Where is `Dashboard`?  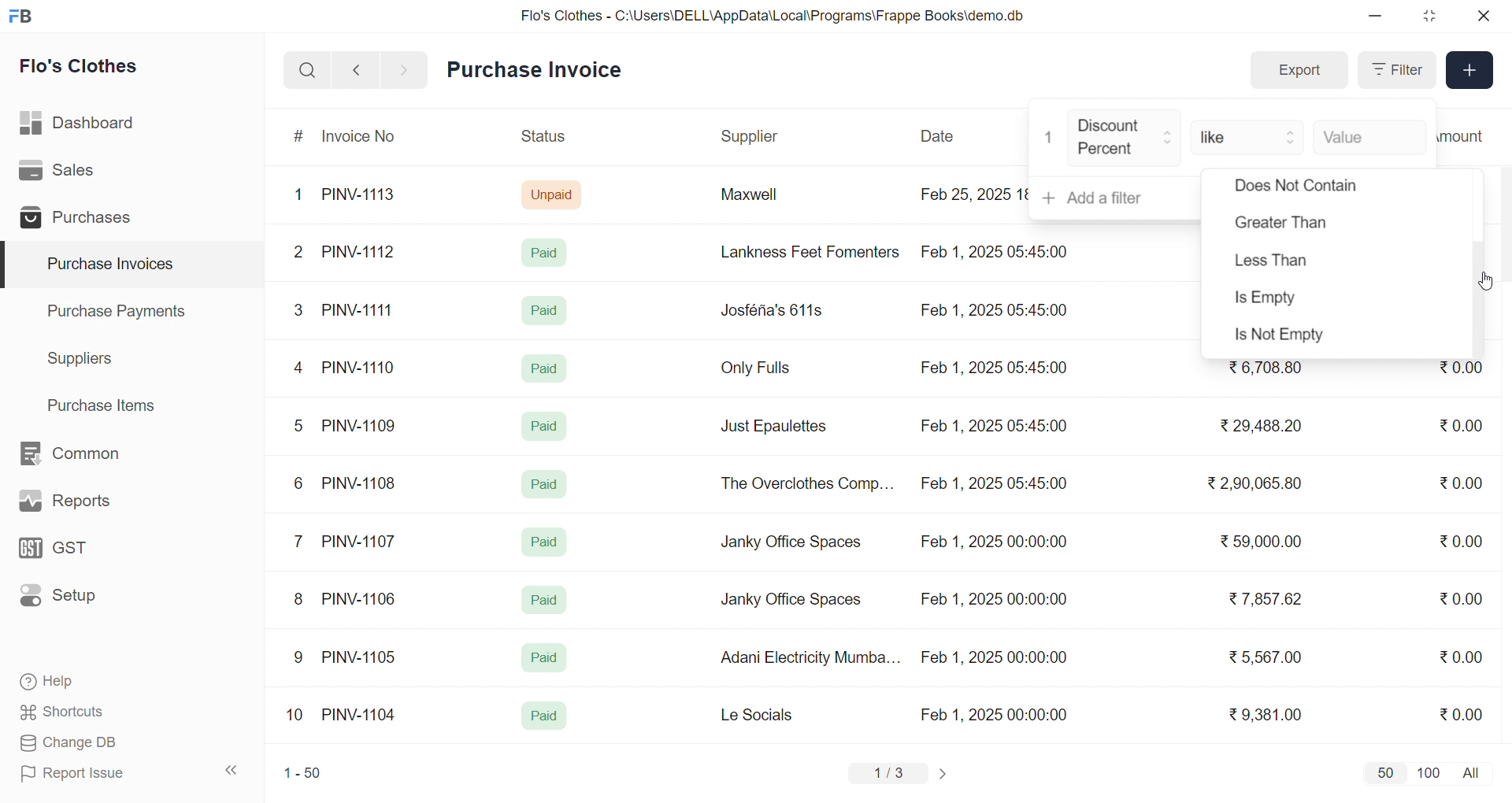
Dashboard is located at coordinates (82, 126).